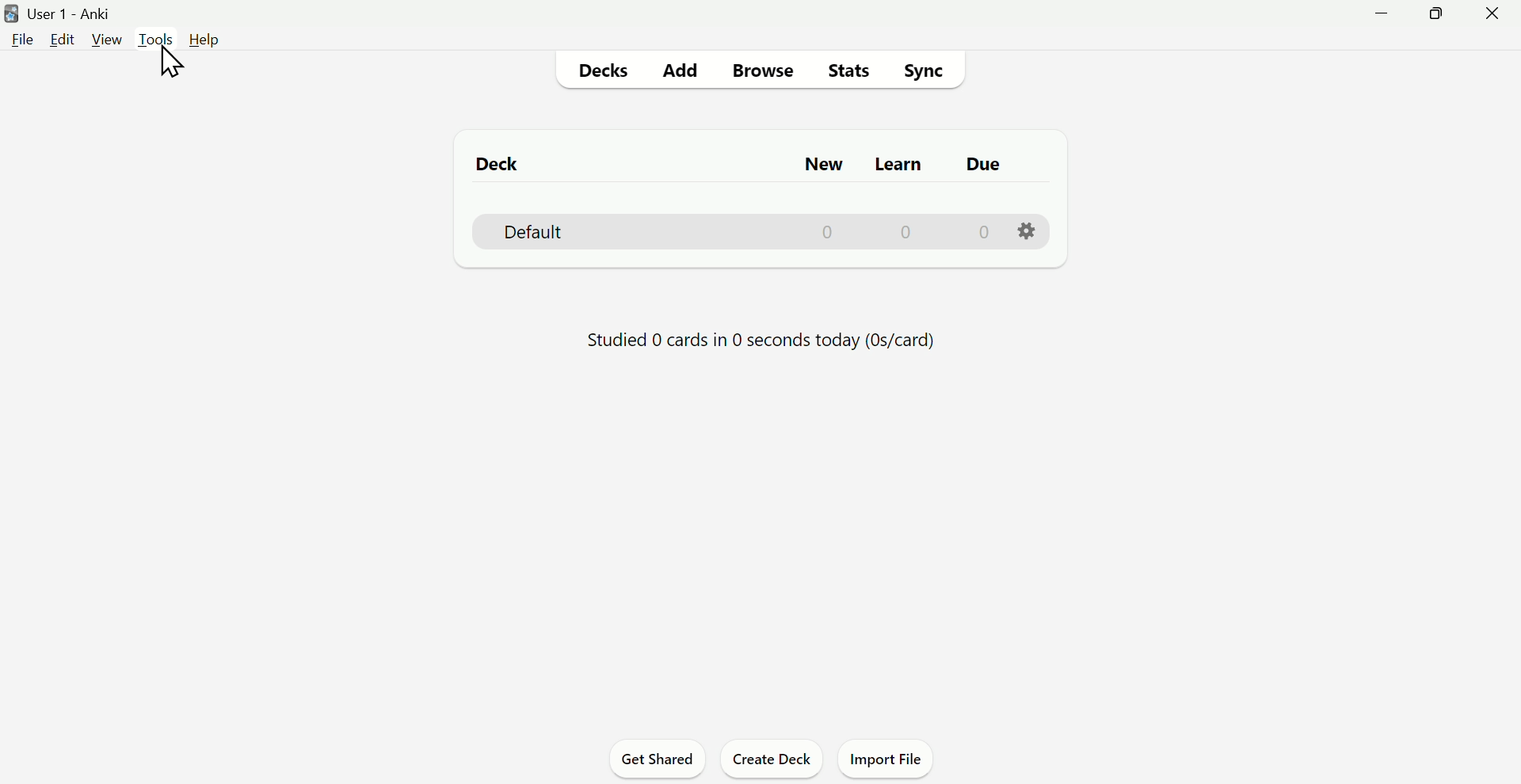 Image resolution: width=1521 pixels, height=784 pixels. I want to click on View, so click(107, 40).